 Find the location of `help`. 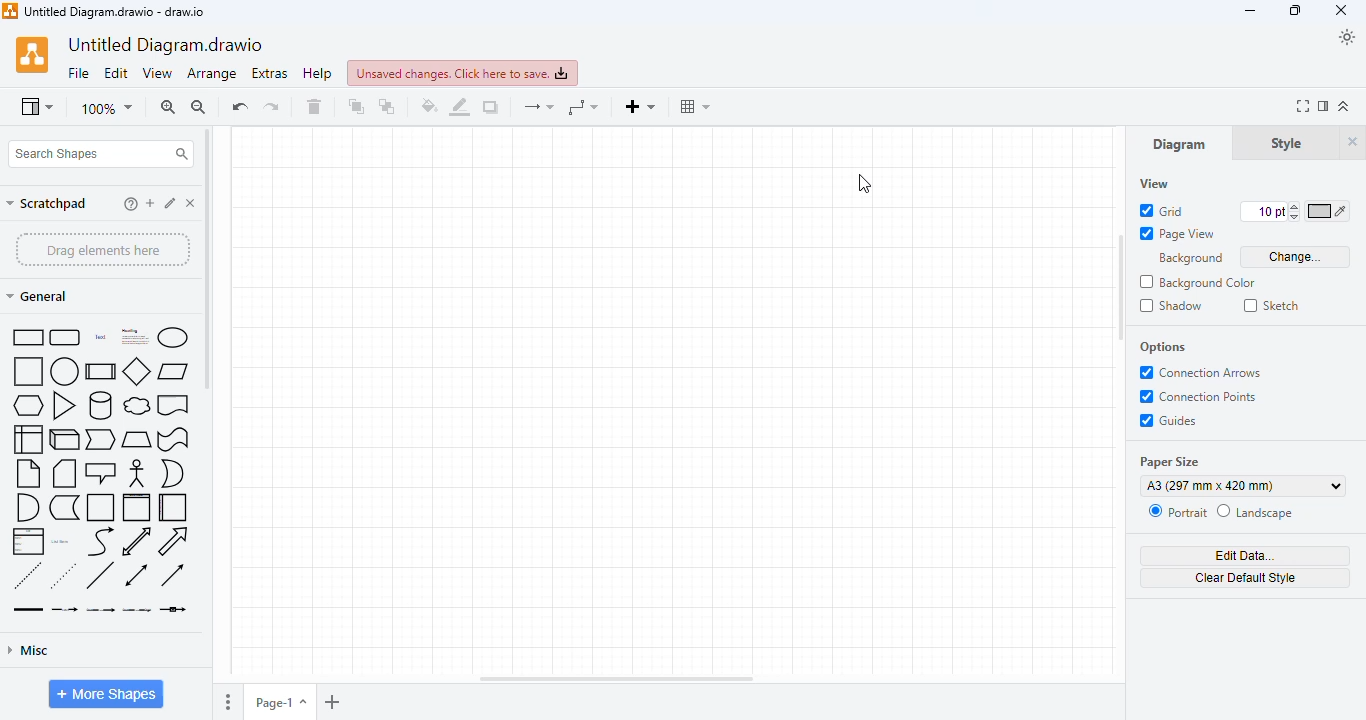

help is located at coordinates (318, 73).